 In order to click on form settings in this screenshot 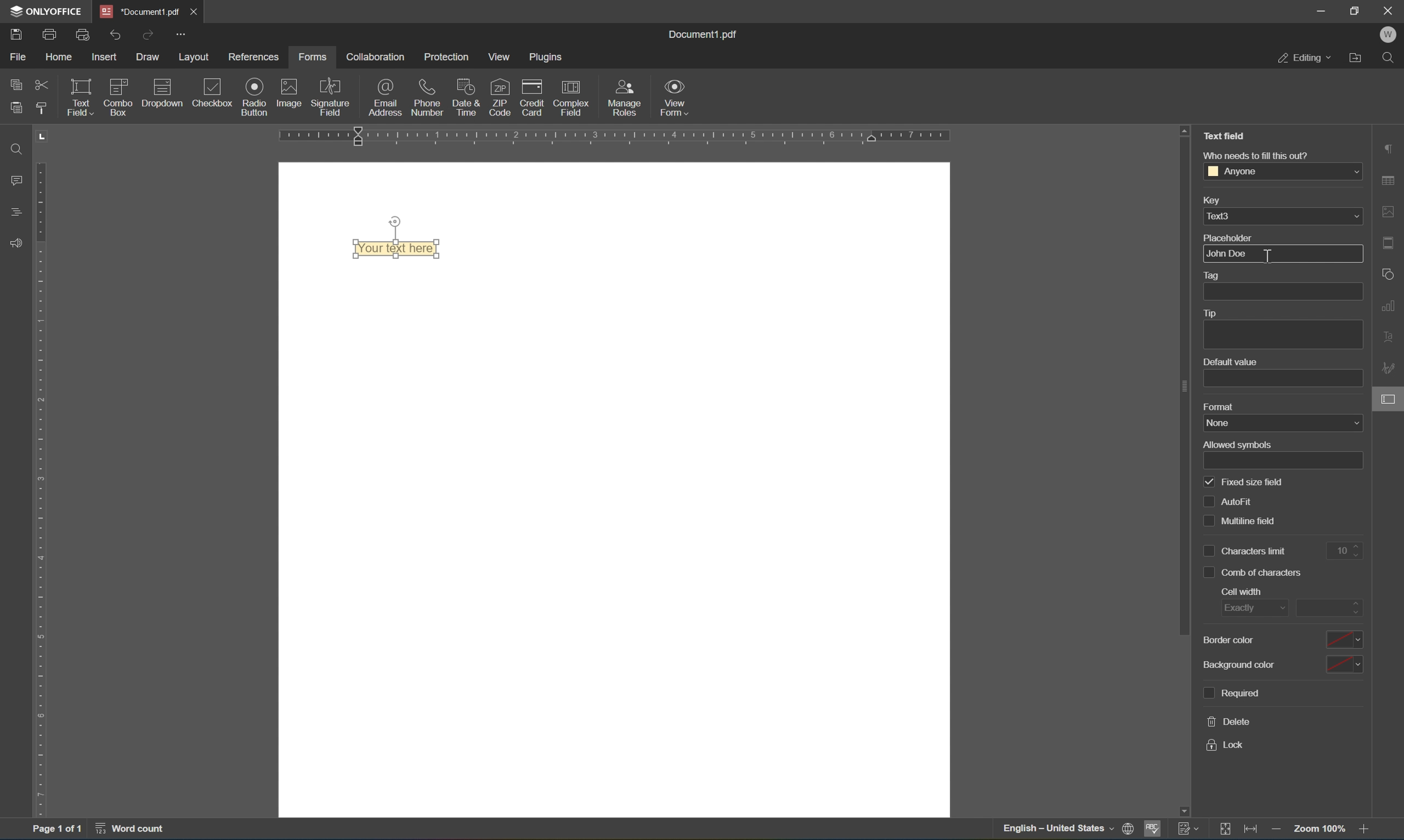, I will do `click(1392, 397)`.